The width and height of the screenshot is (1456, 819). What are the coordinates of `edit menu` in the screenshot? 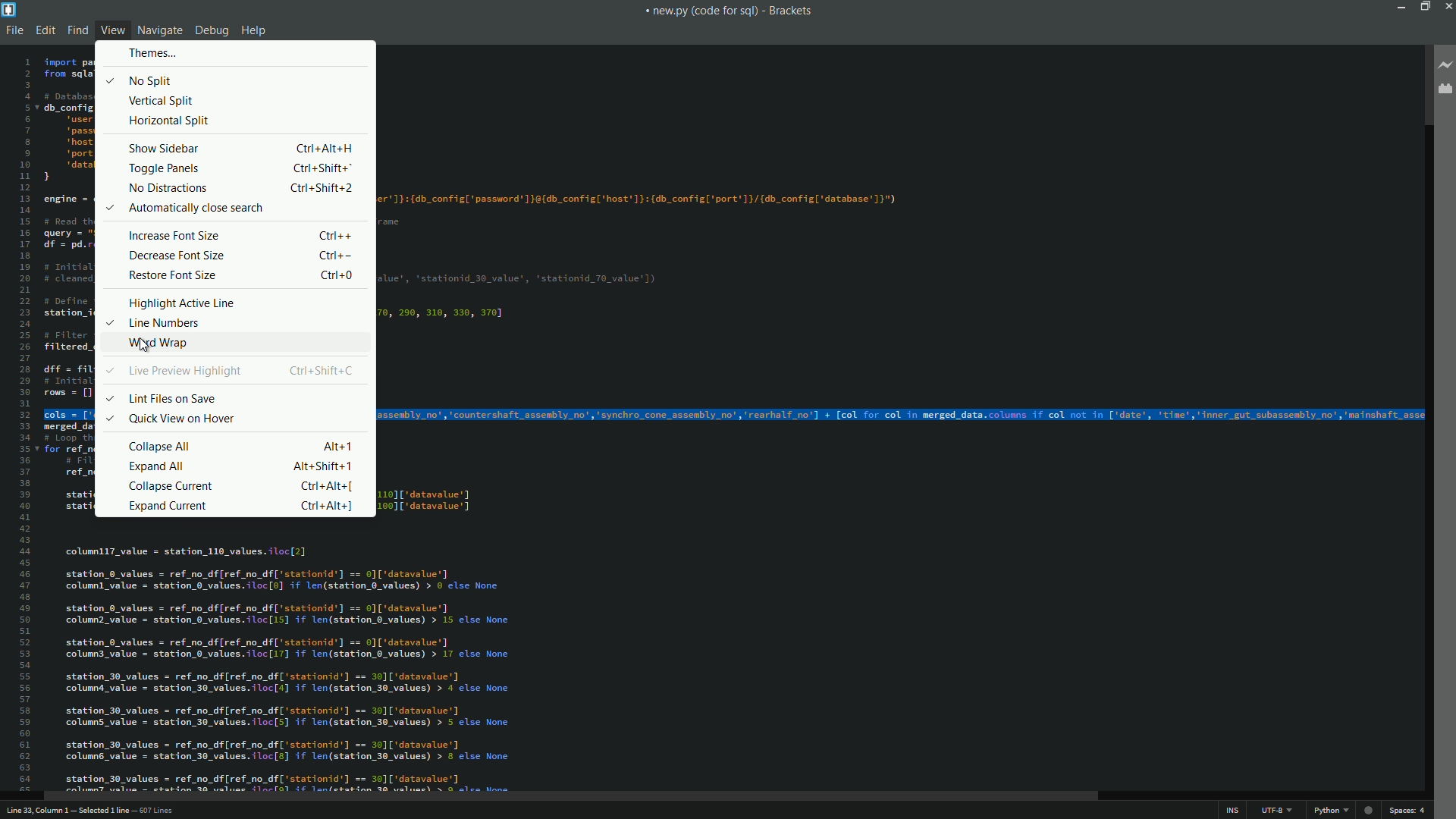 It's located at (47, 30).